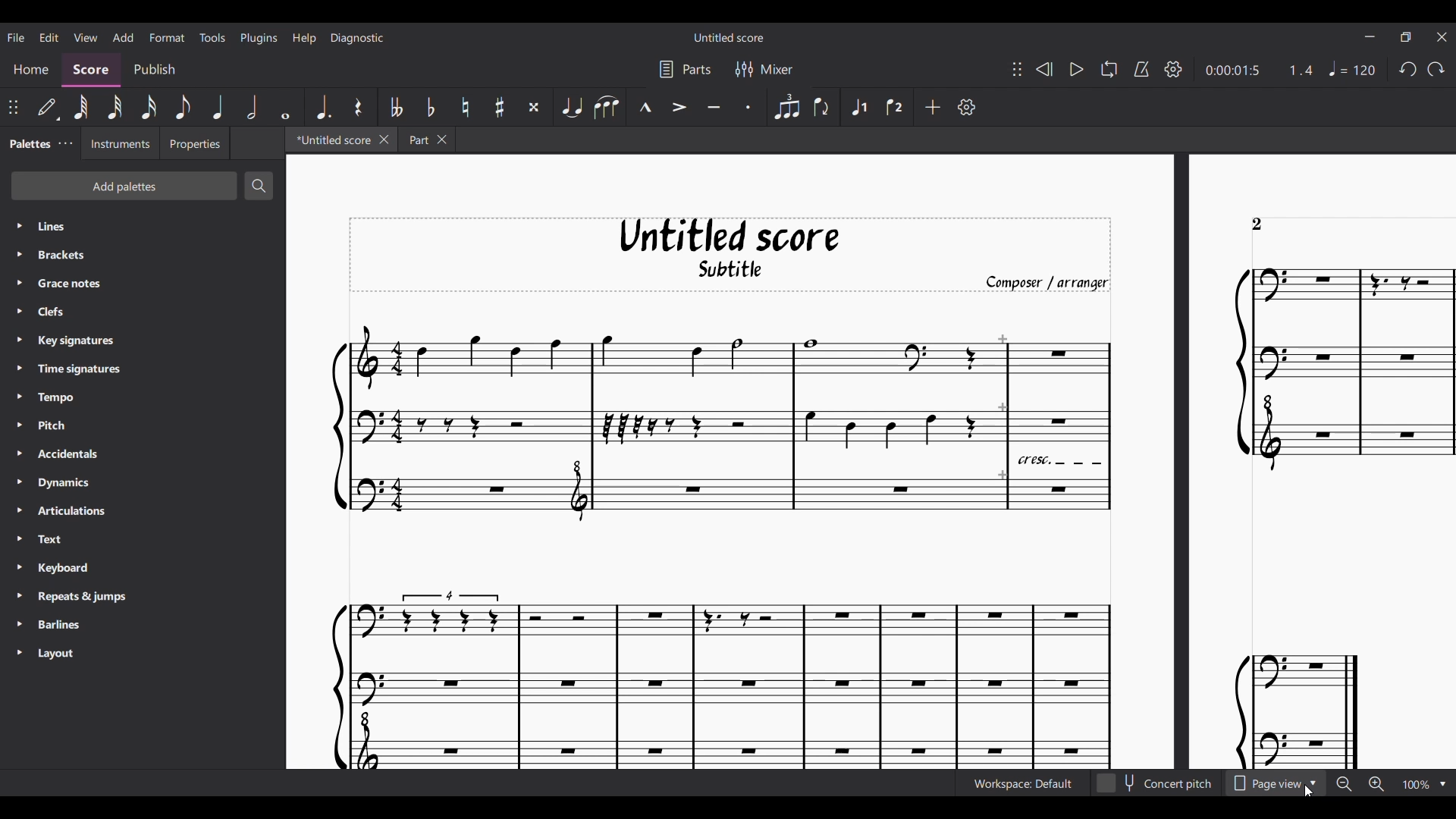 This screenshot has height=819, width=1456. Describe the element at coordinates (1017, 68) in the screenshot. I see `Change position of toolbar attached ` at that location.